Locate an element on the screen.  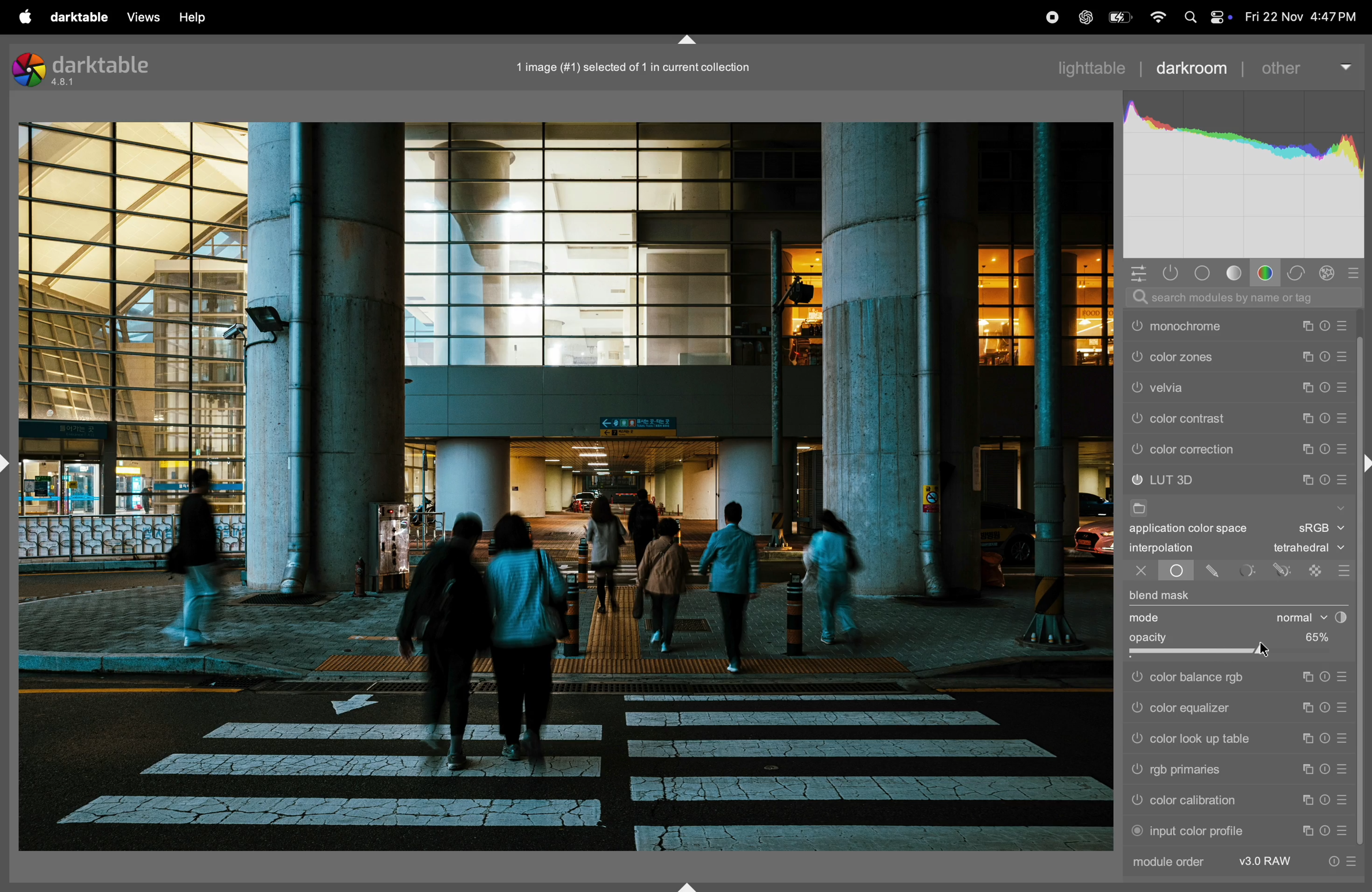
v3 raw is located at coordinates (1268, 862).